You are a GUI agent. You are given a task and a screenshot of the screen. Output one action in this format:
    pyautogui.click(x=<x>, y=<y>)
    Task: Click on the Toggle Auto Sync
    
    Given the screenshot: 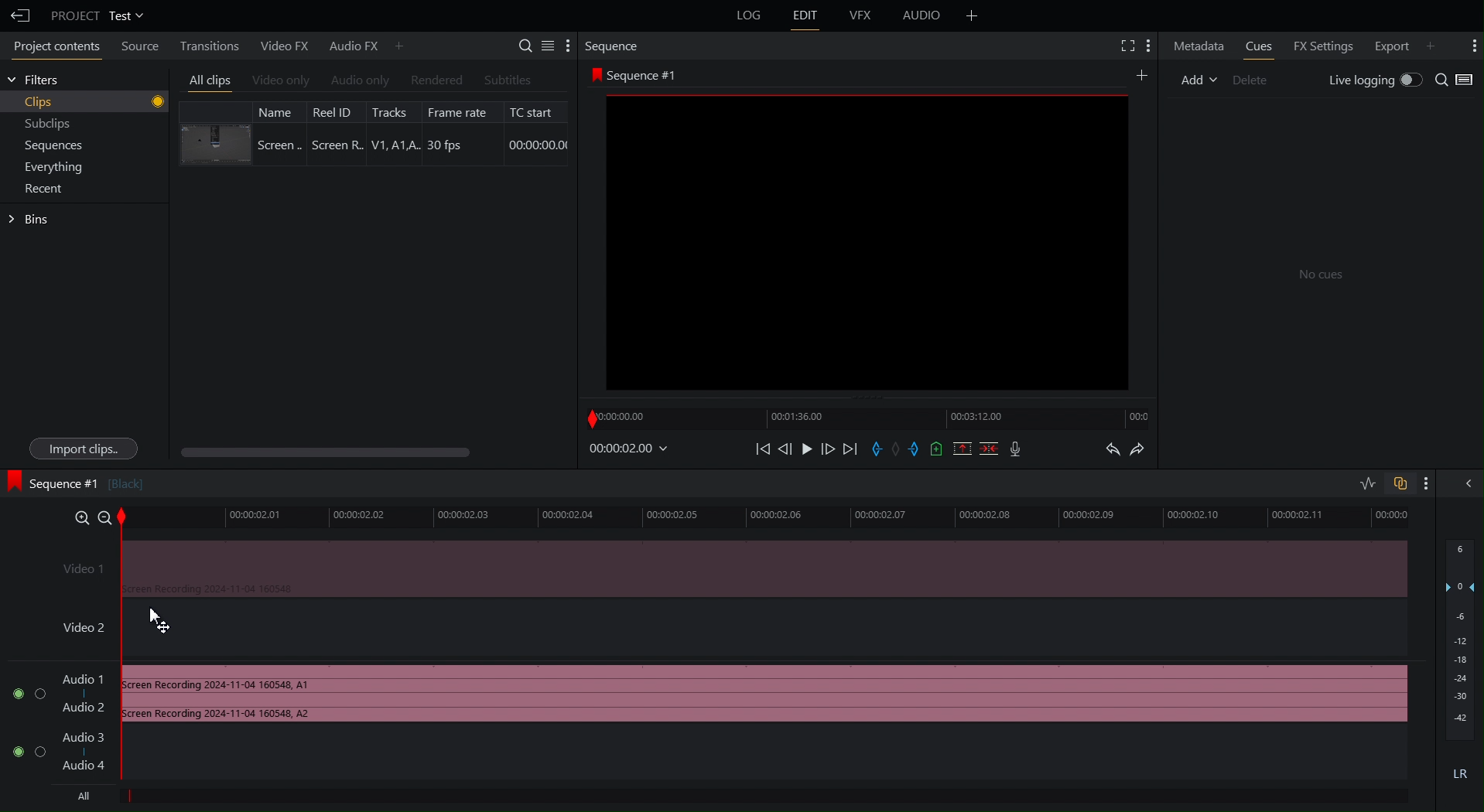 What is the action you would take?
    pyautogui.click(x=1400, y=481)
    